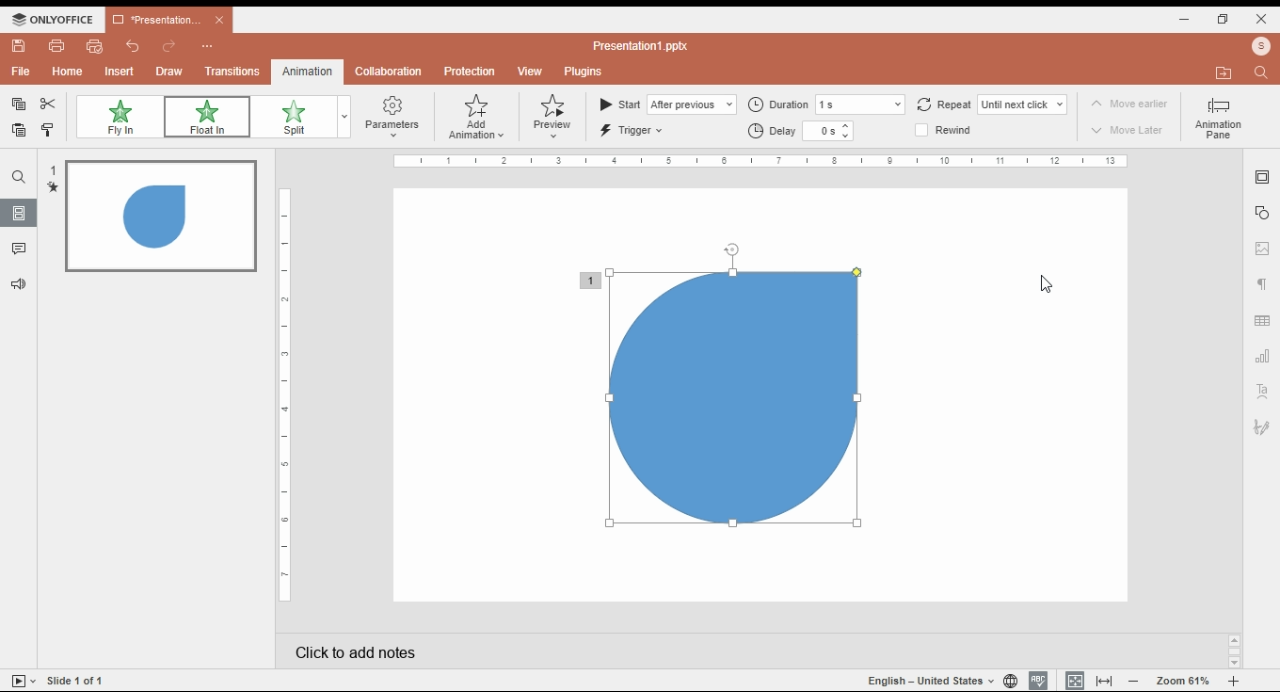  Describe the element at coordinates (1184, 681) in the screenshot. I see `zoom 61%` at that location.